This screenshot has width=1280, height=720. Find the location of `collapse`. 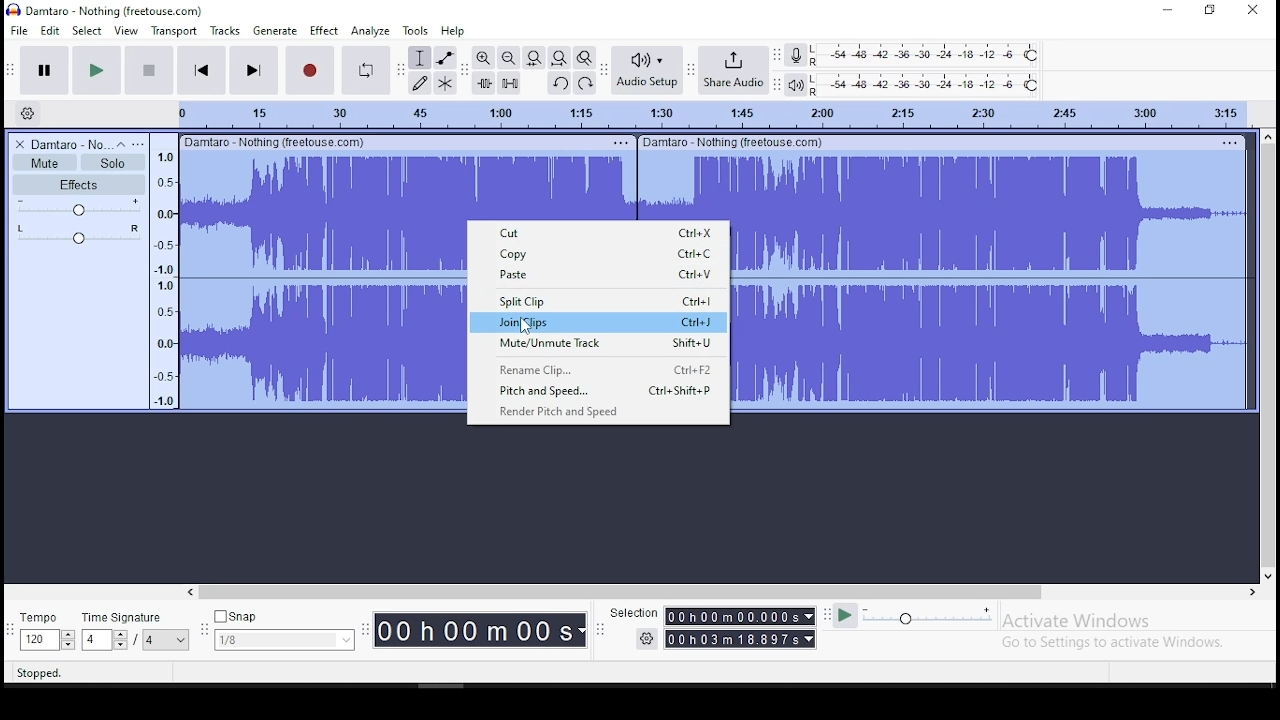

collapse is located at coordinates (121, 144).